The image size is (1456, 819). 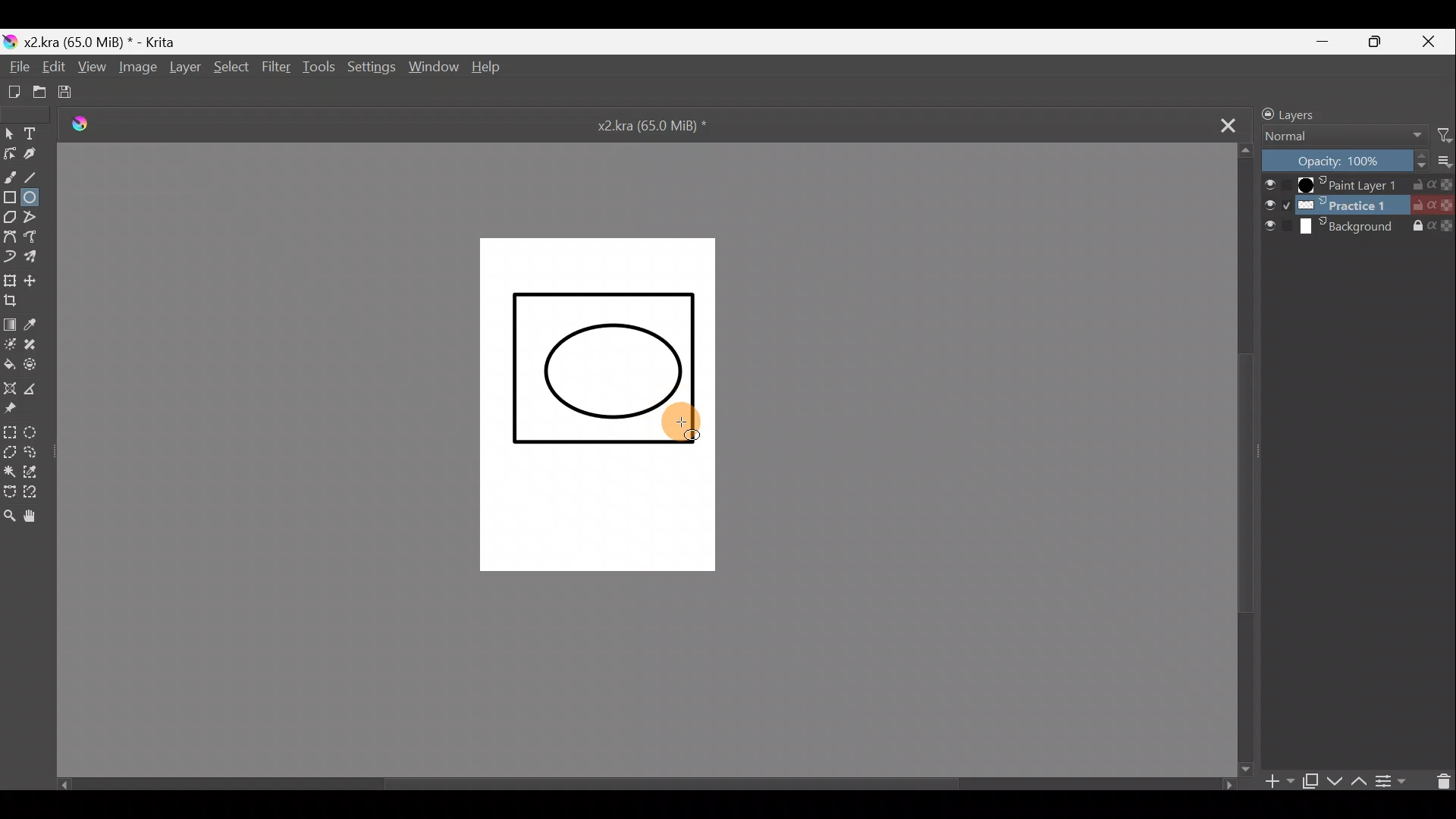 What do you see at coordinates (11, 174) in the screenshot?
I see `Freehand brush tool` at bounding box center [11, 174].